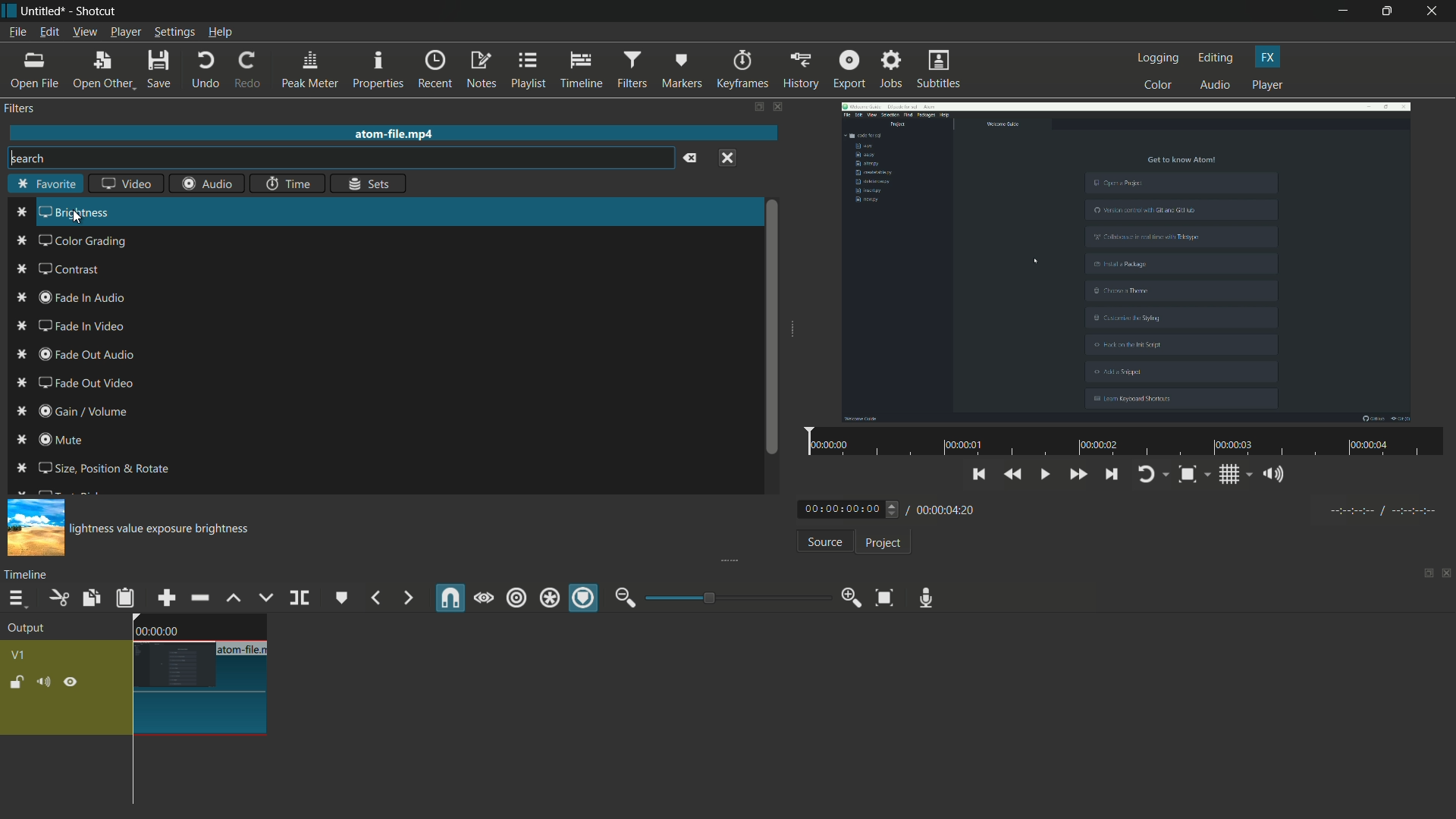 The height and width of the screenshot is (819, 1456). I want to click on fade in video, so click(70, 326).